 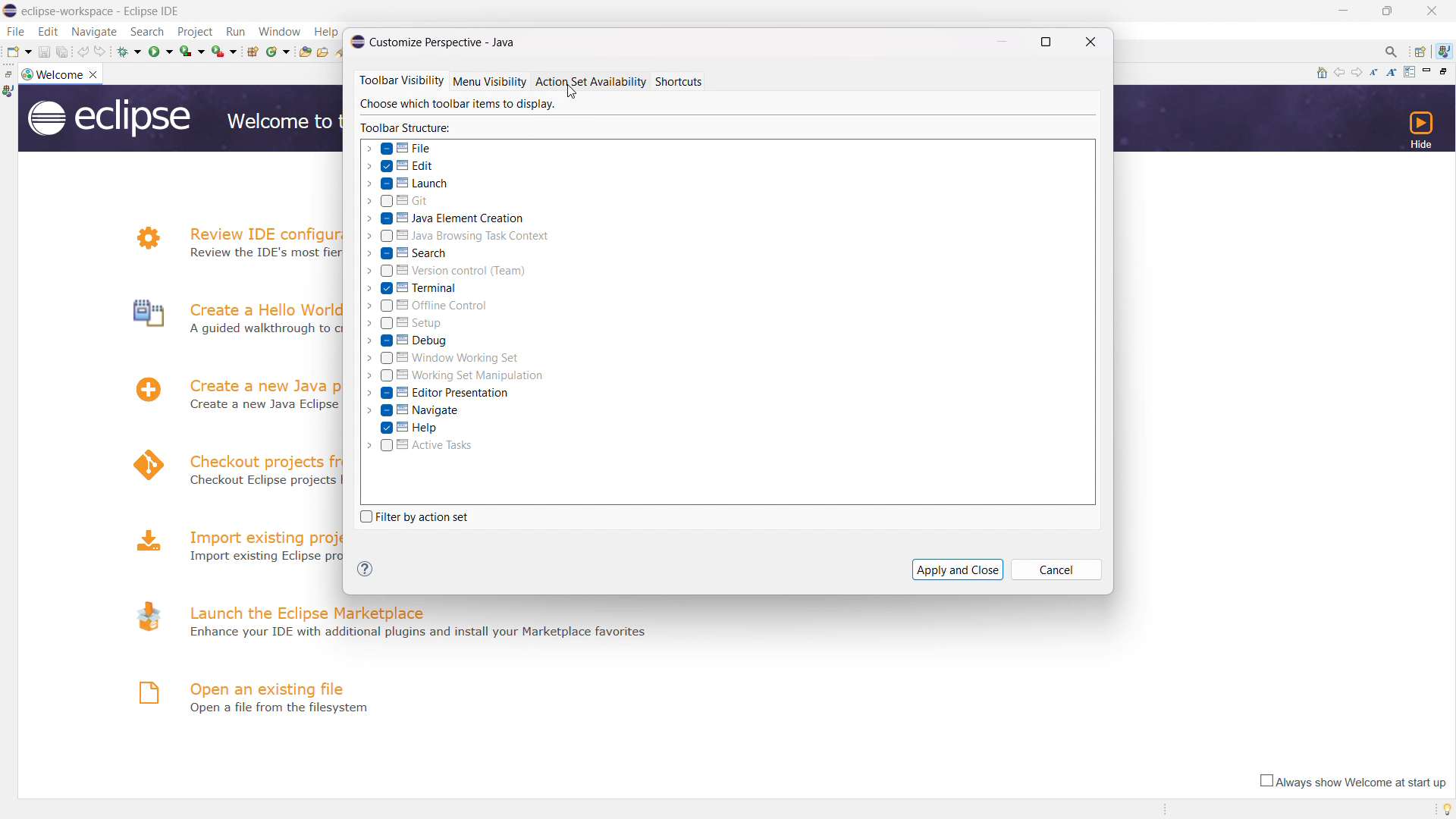 I want to click on java, so click(x=9, y=92).